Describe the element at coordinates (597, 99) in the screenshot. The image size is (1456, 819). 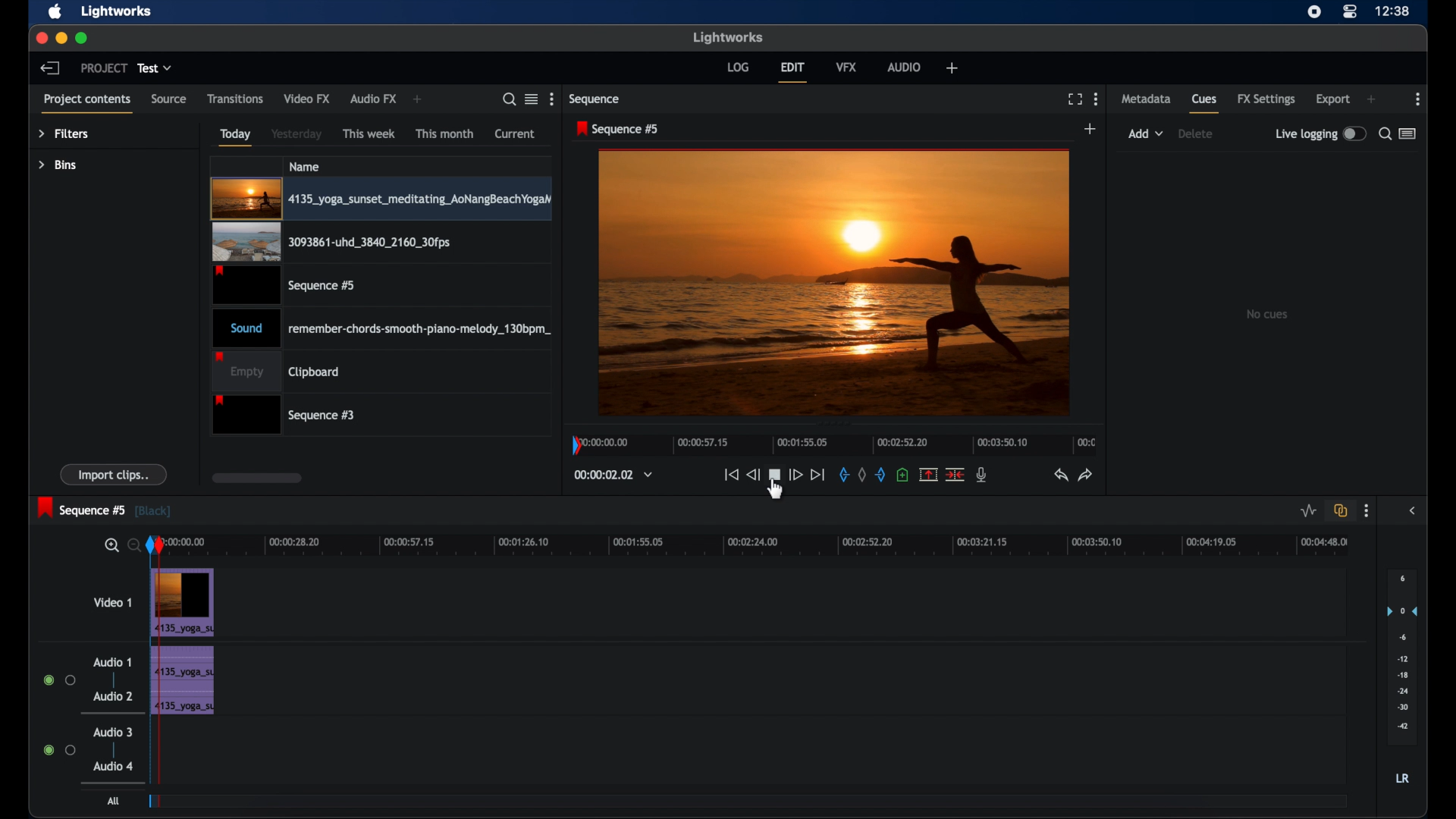
I see `sequence` at that location.